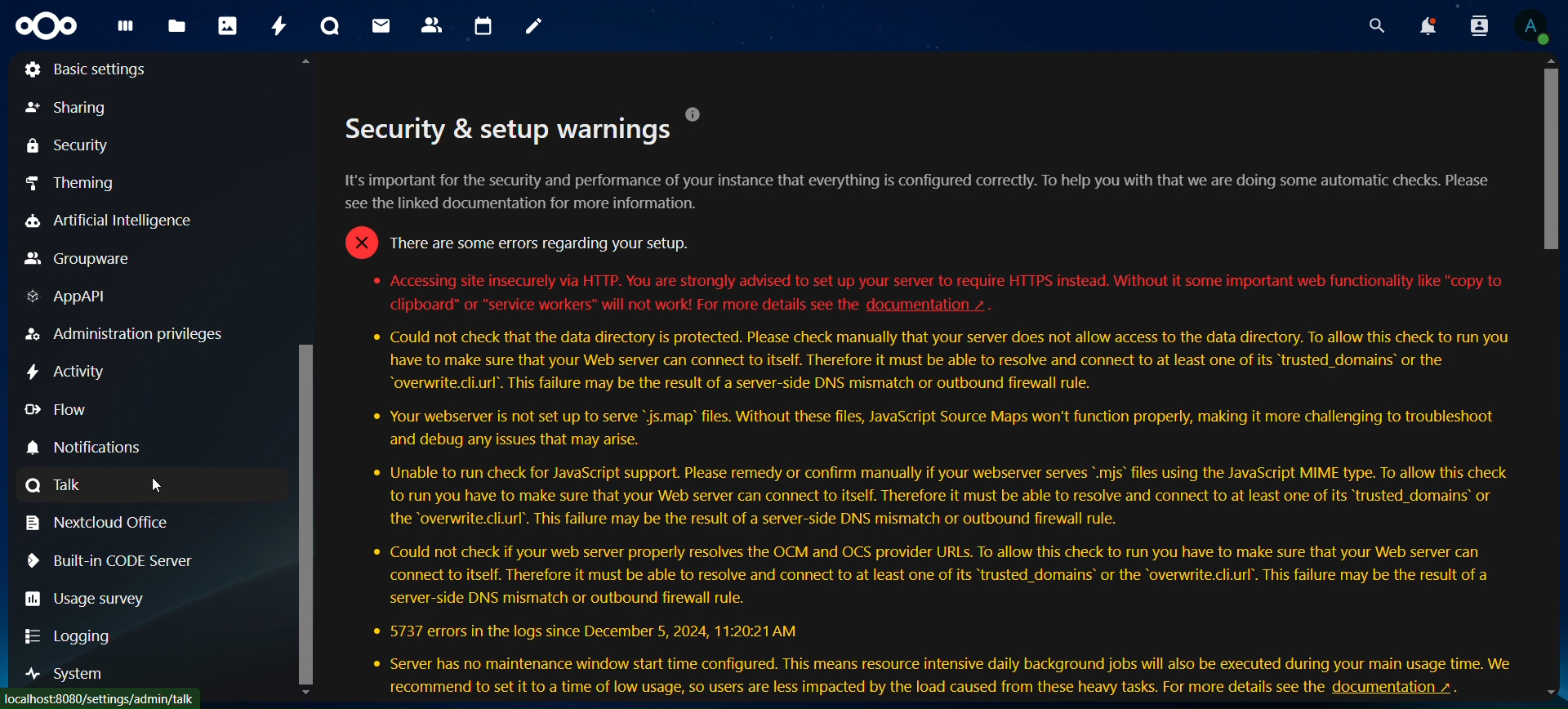 This screenshot has height=709, width=1568. Describe the element at coordinates (481, 26) in the screenshot. I see `calendar` at that location.